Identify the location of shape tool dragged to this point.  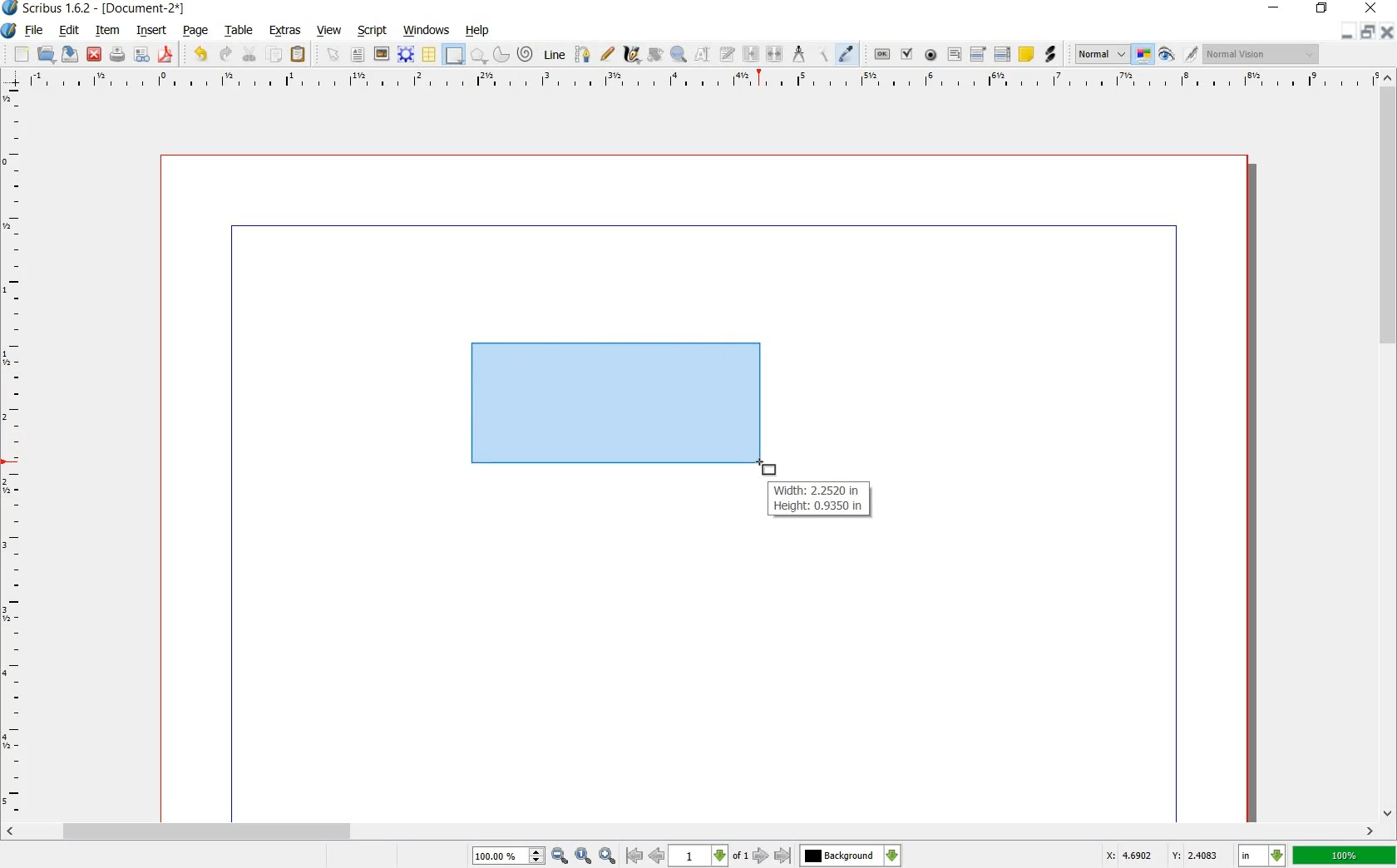
(765, 468).